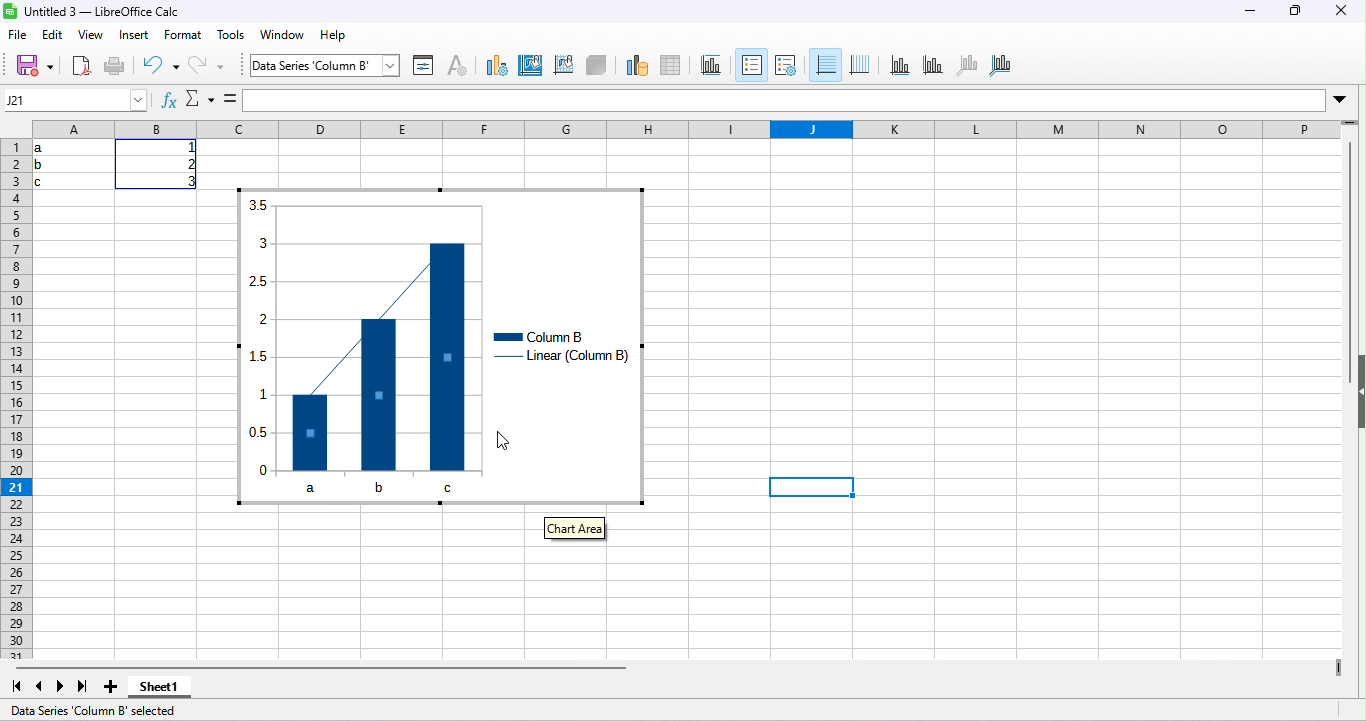  What do you see at coordinates (117, 689) in the screenshot?
I see `new sheet` at bounding box center [117, 689].